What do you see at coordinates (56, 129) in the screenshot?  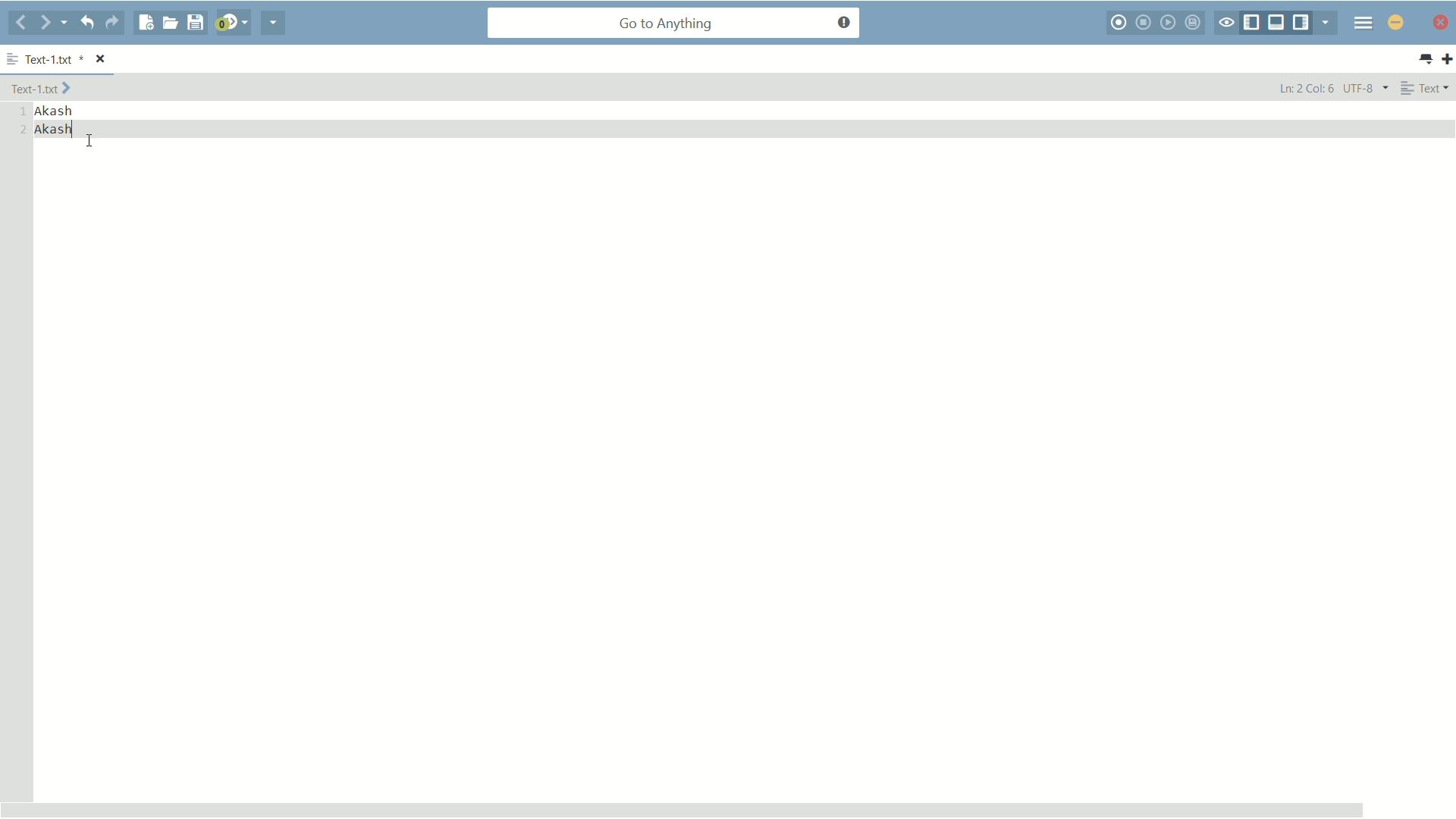 I see `paste text` at bounding box center [56, 129].